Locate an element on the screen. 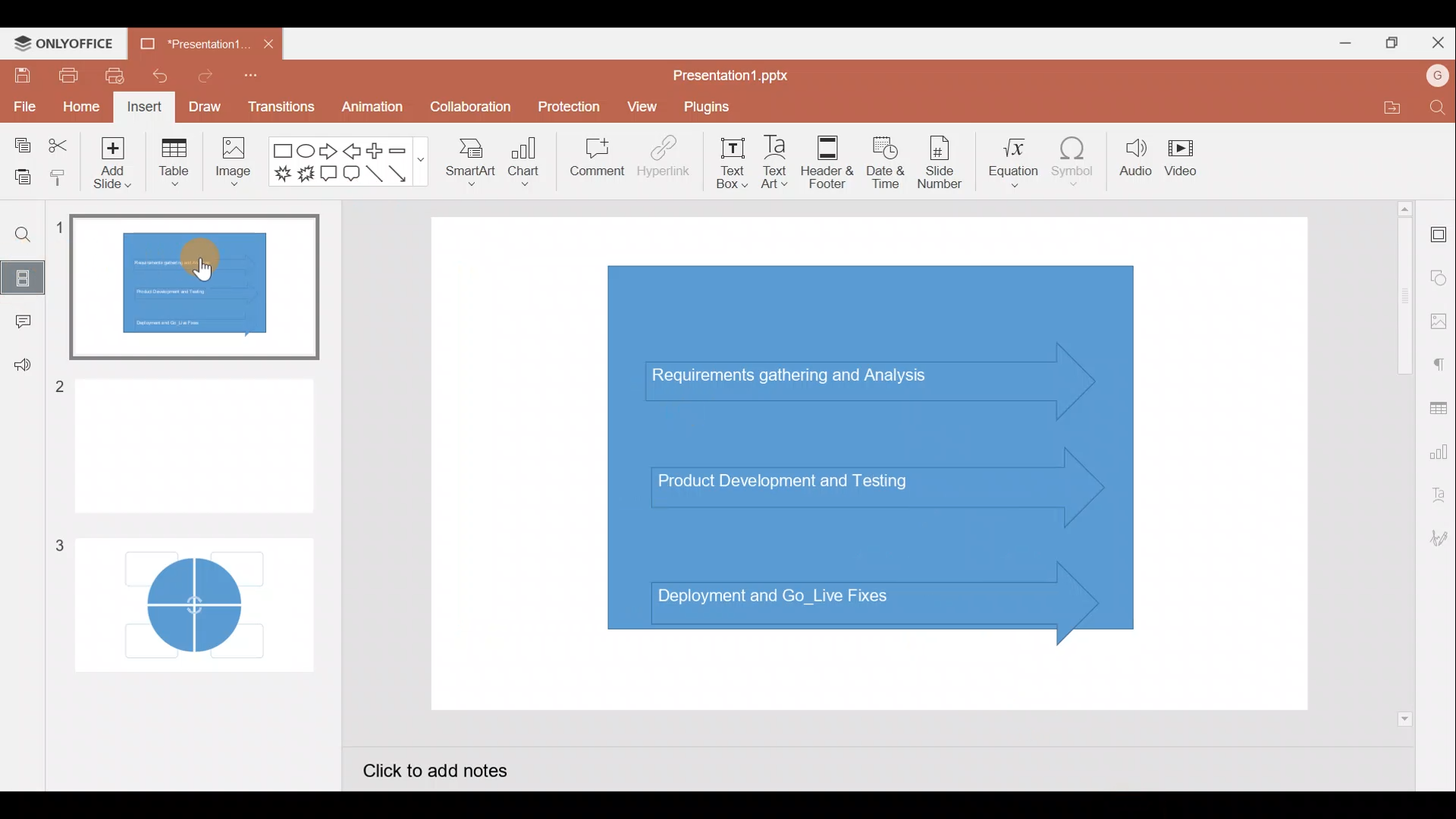  Equation is located at coordinates (1009, 163).